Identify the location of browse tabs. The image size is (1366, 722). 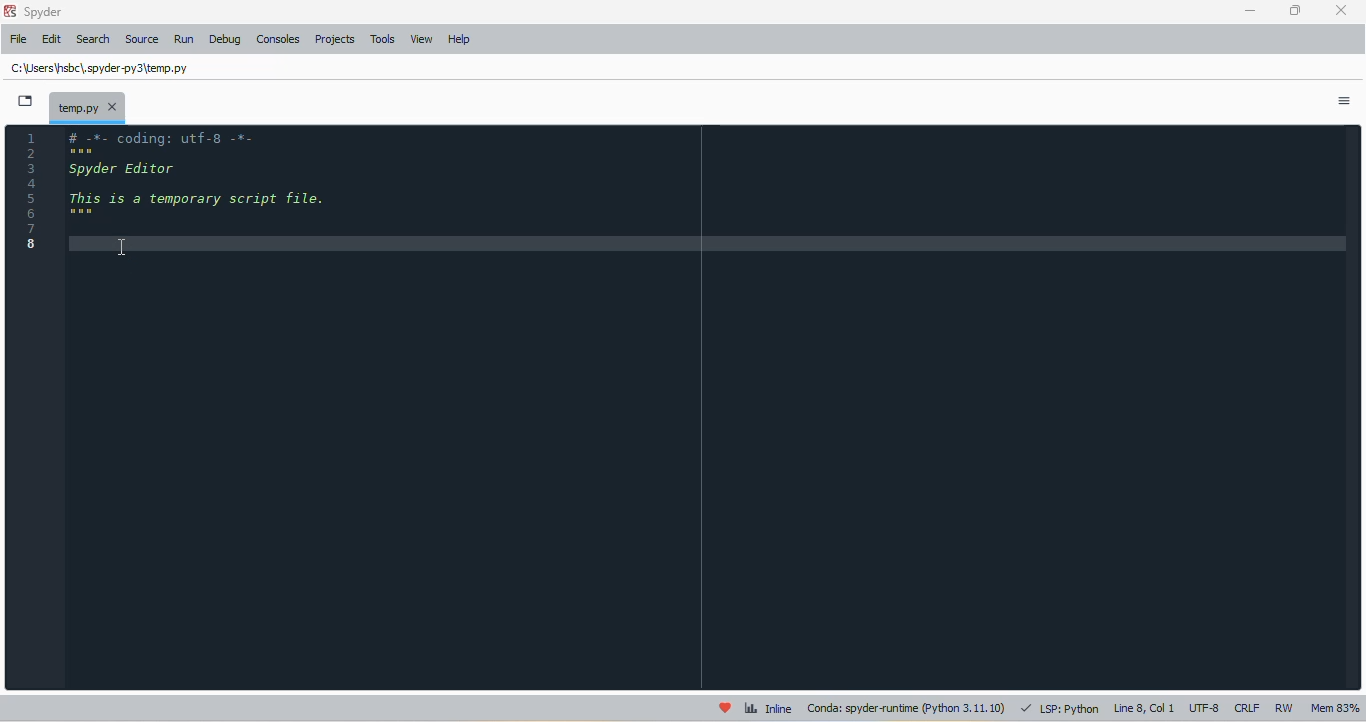
(26, 101).